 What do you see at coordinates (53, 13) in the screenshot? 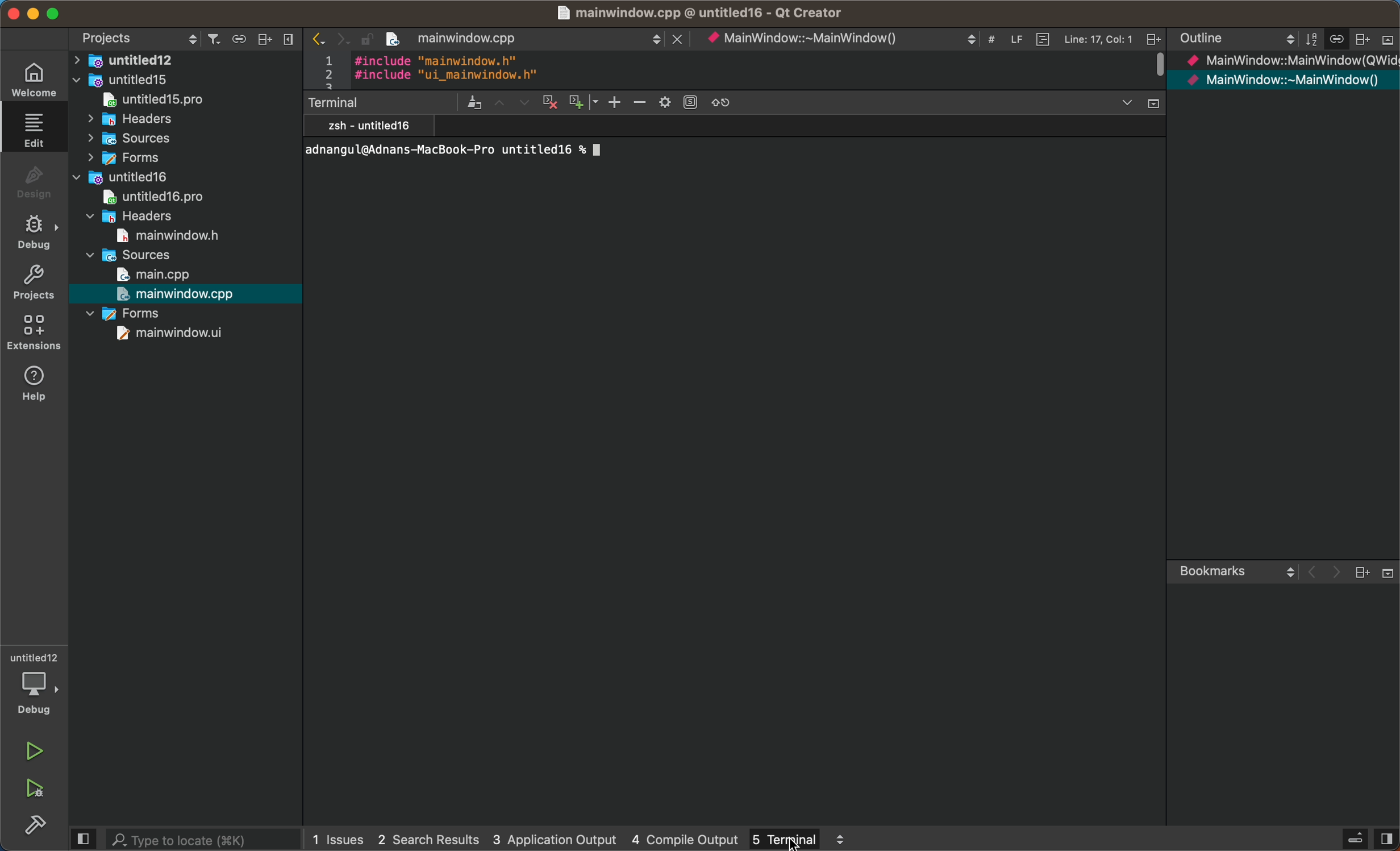
I see `minimize` at bounding box center [53, 13].